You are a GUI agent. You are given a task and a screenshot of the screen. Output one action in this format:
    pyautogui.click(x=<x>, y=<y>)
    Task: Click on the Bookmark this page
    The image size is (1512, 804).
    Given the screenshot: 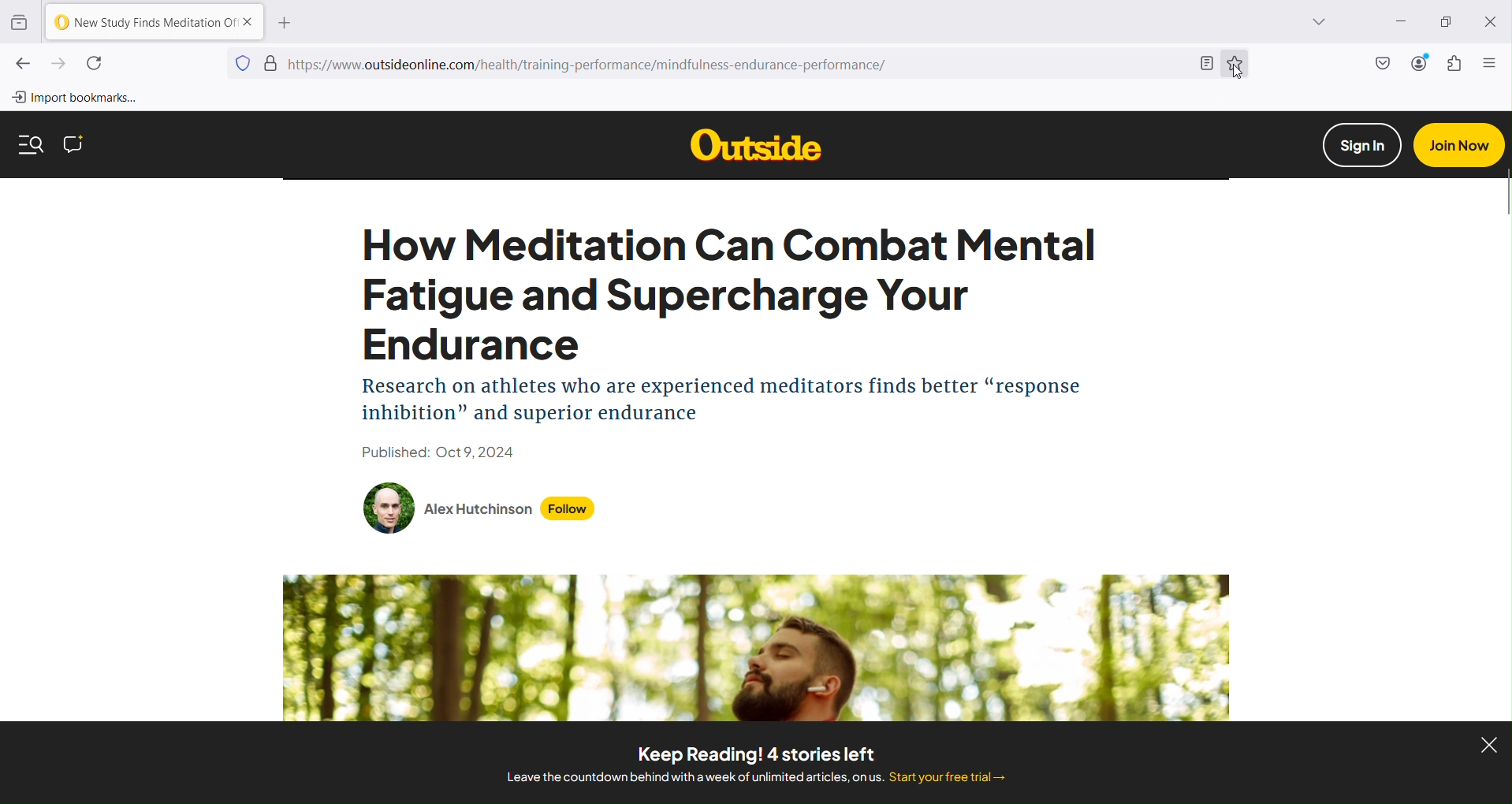 What is the action you would take?
    pyautogui.click(x=1235, y=63)
    